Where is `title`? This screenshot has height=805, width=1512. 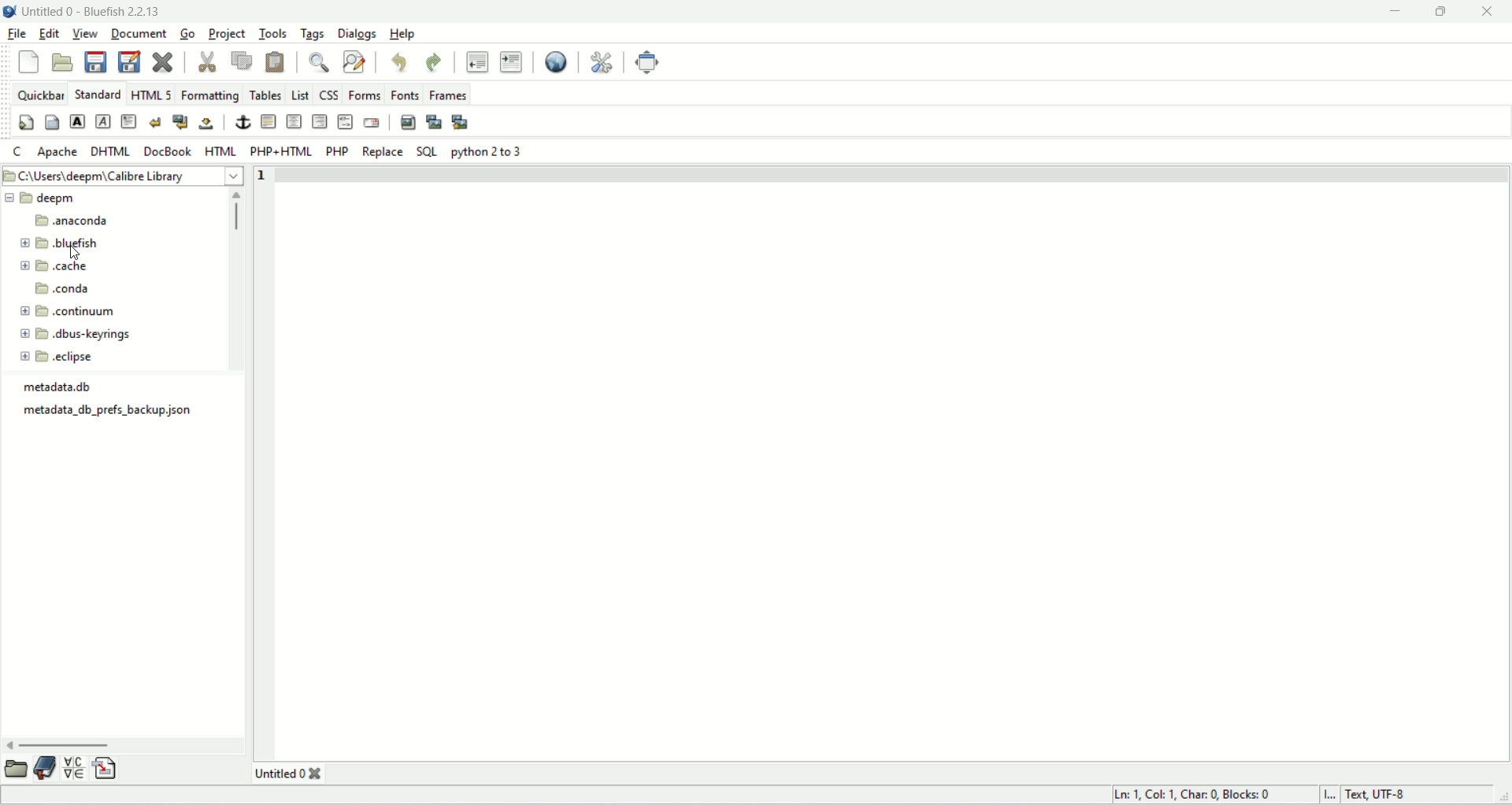 title is located at coordinates (93, 11).